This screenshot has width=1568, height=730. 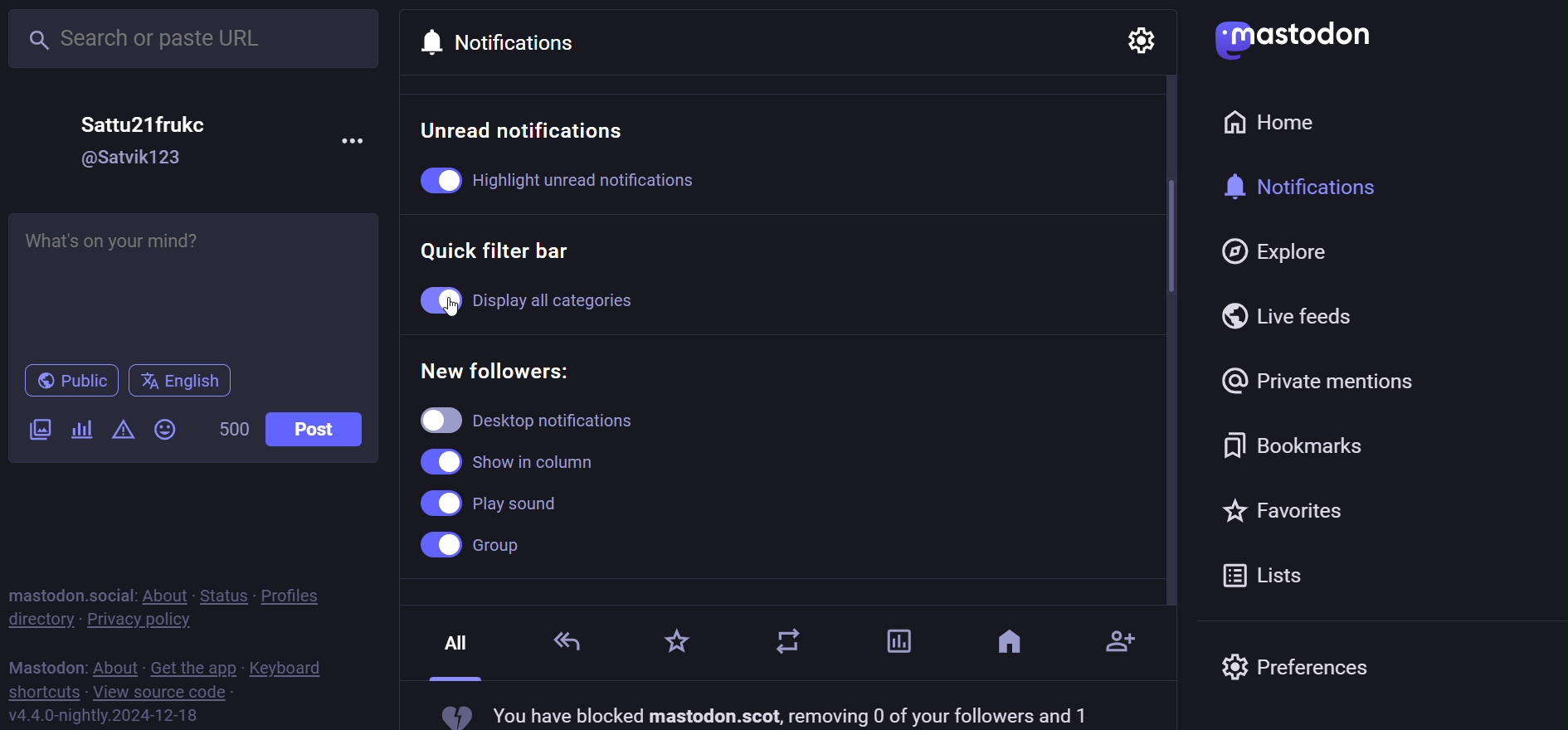 I want to click on play sound, so click(x=493, y=503).